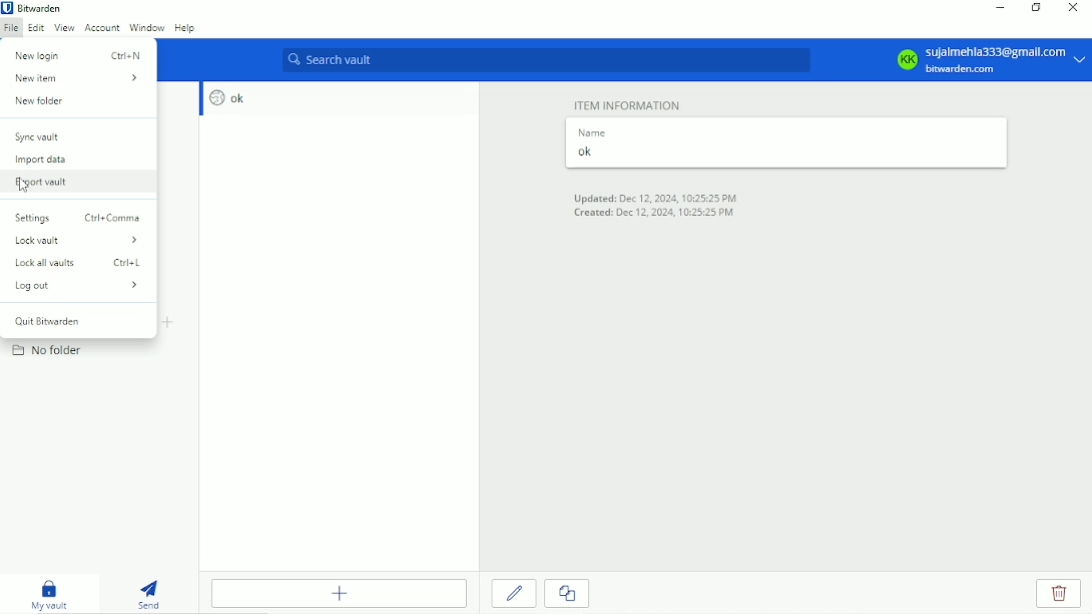  Describe the element at coordinates (64, 27) in the screenshot. I see `View` at that location.